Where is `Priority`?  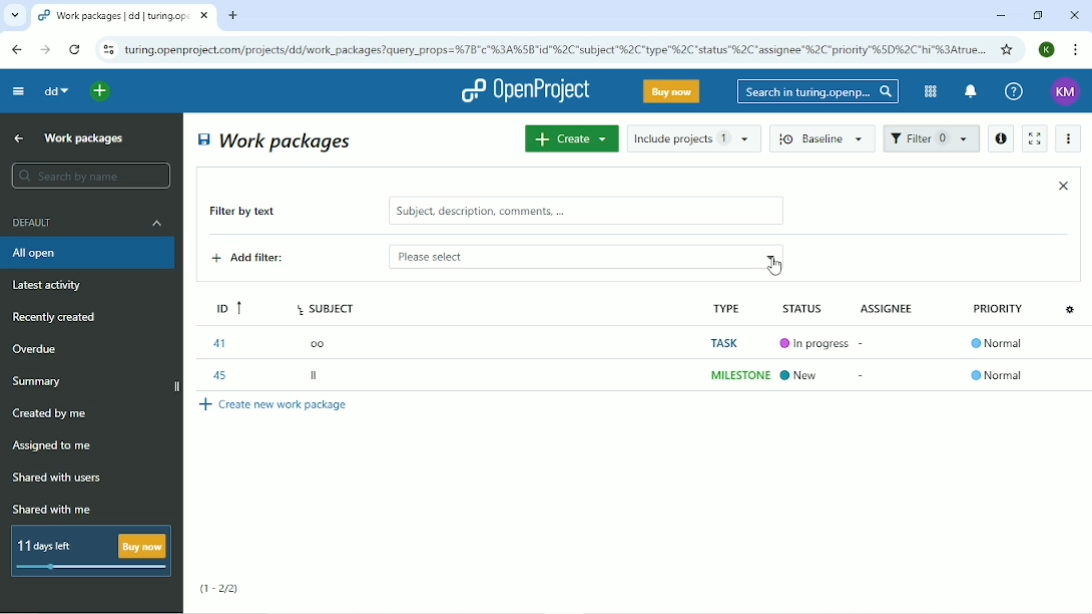
Priority is located at coordinates (1000, 314).